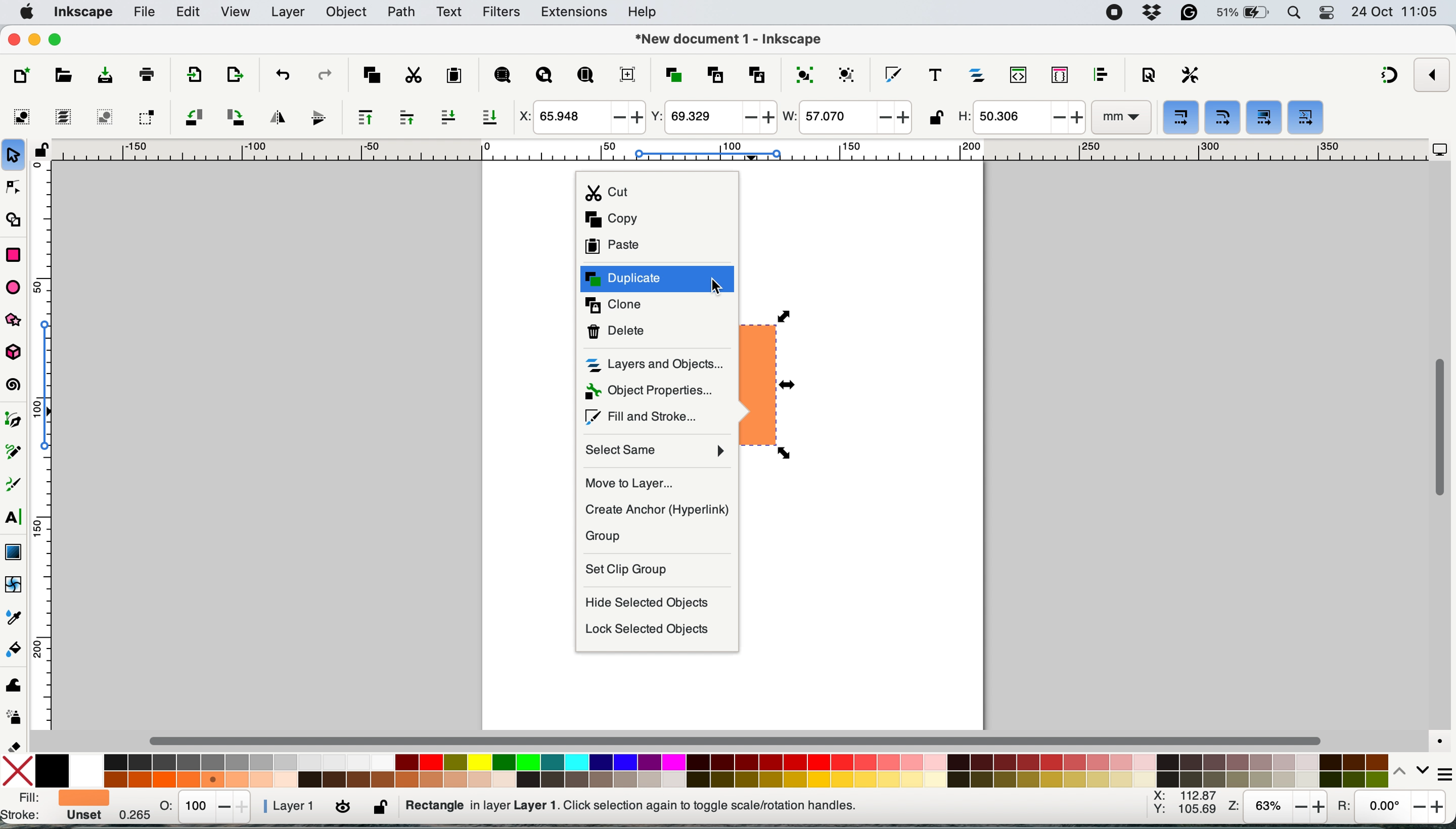 Image resolution: width=1456 pixels, height=829 pixels. What do you see at coordinates (448, 117) in the screenshot?
I see `lower selection one step` at bounding box center [448, 117].